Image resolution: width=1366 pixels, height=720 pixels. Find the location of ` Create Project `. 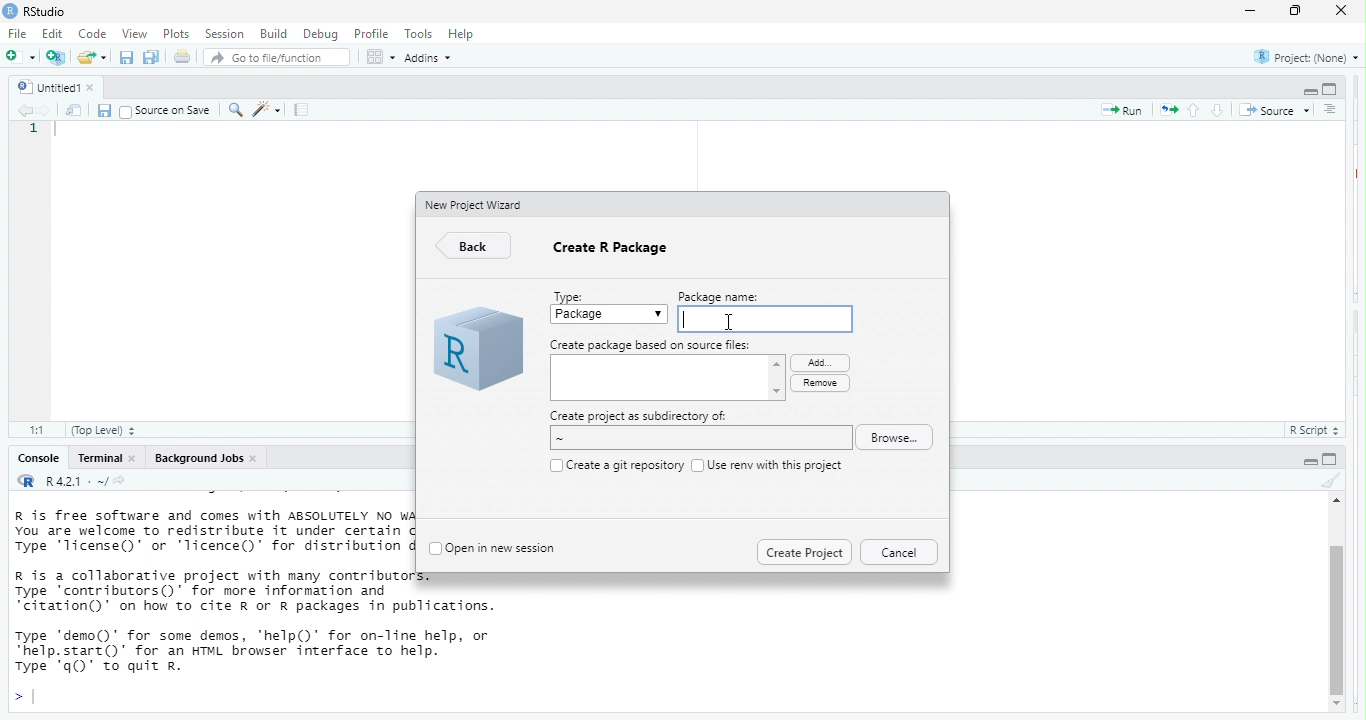

 Create Project  is located at coordinates (804, 550).